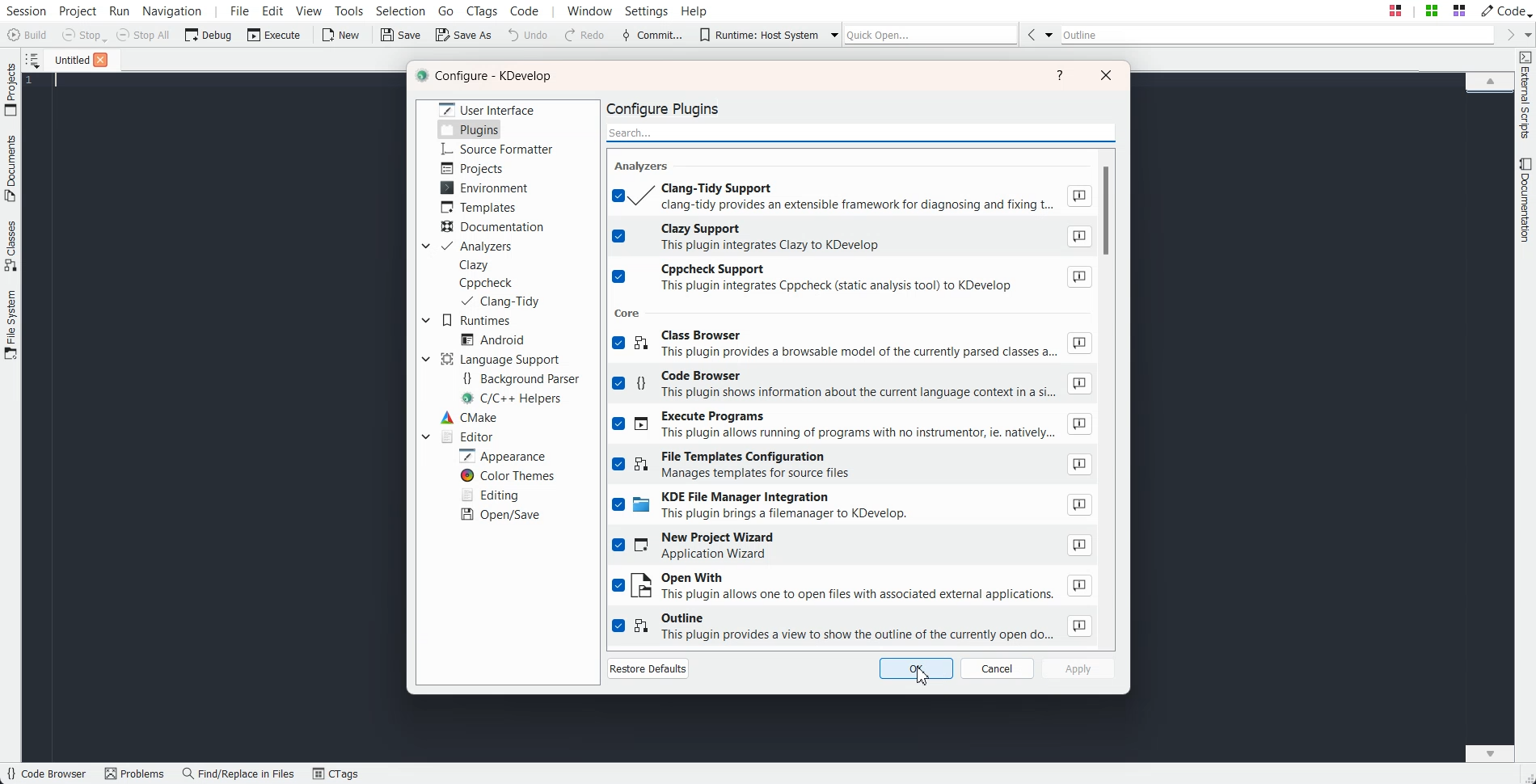 The height and width of the screenshot is (784, 1536). Describe the element at coordinates (1078, 237) in the screenshot. I see `About` at that location.